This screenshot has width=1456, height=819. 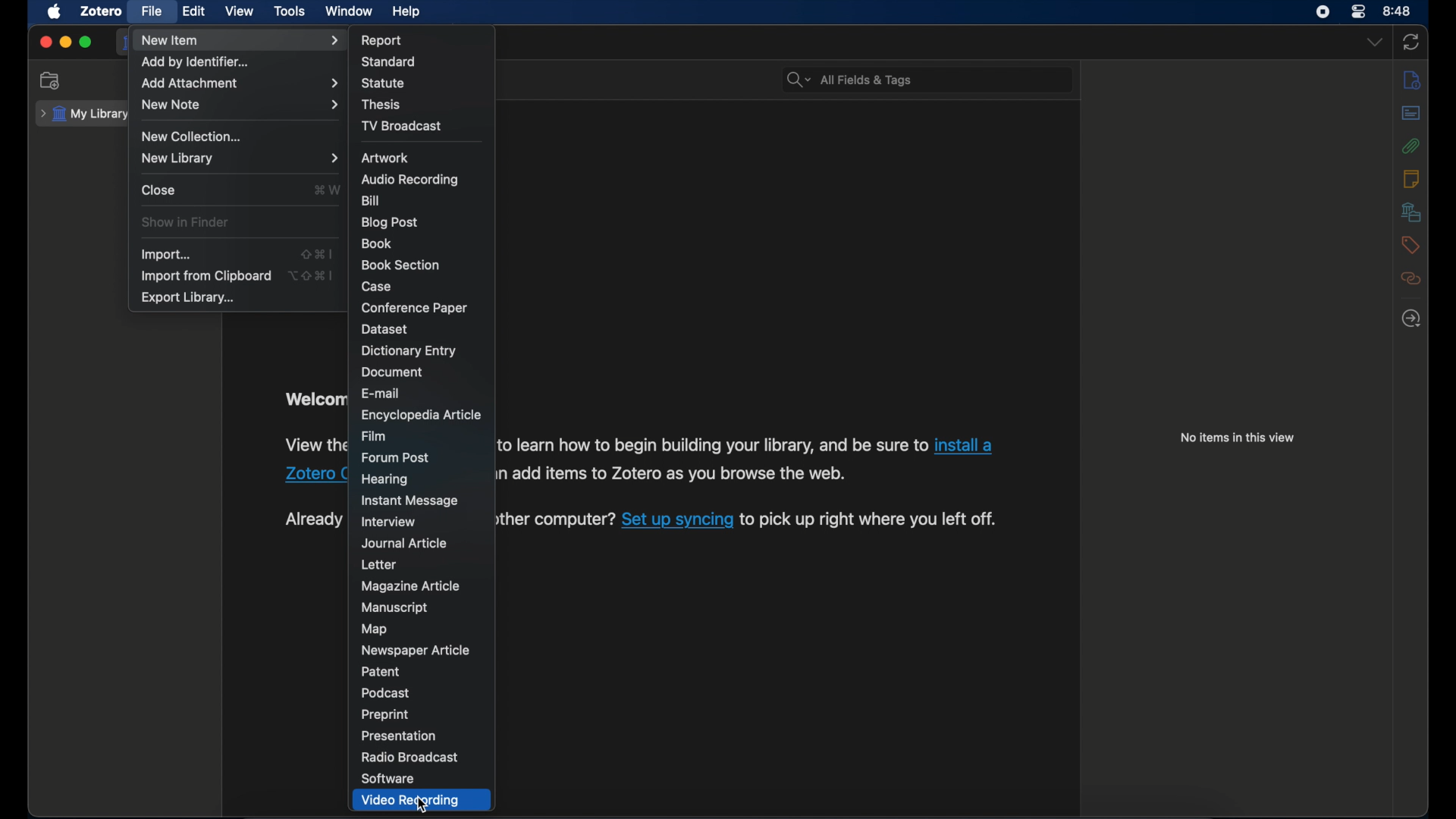 I want to click on import, so click(x=167, y=255).